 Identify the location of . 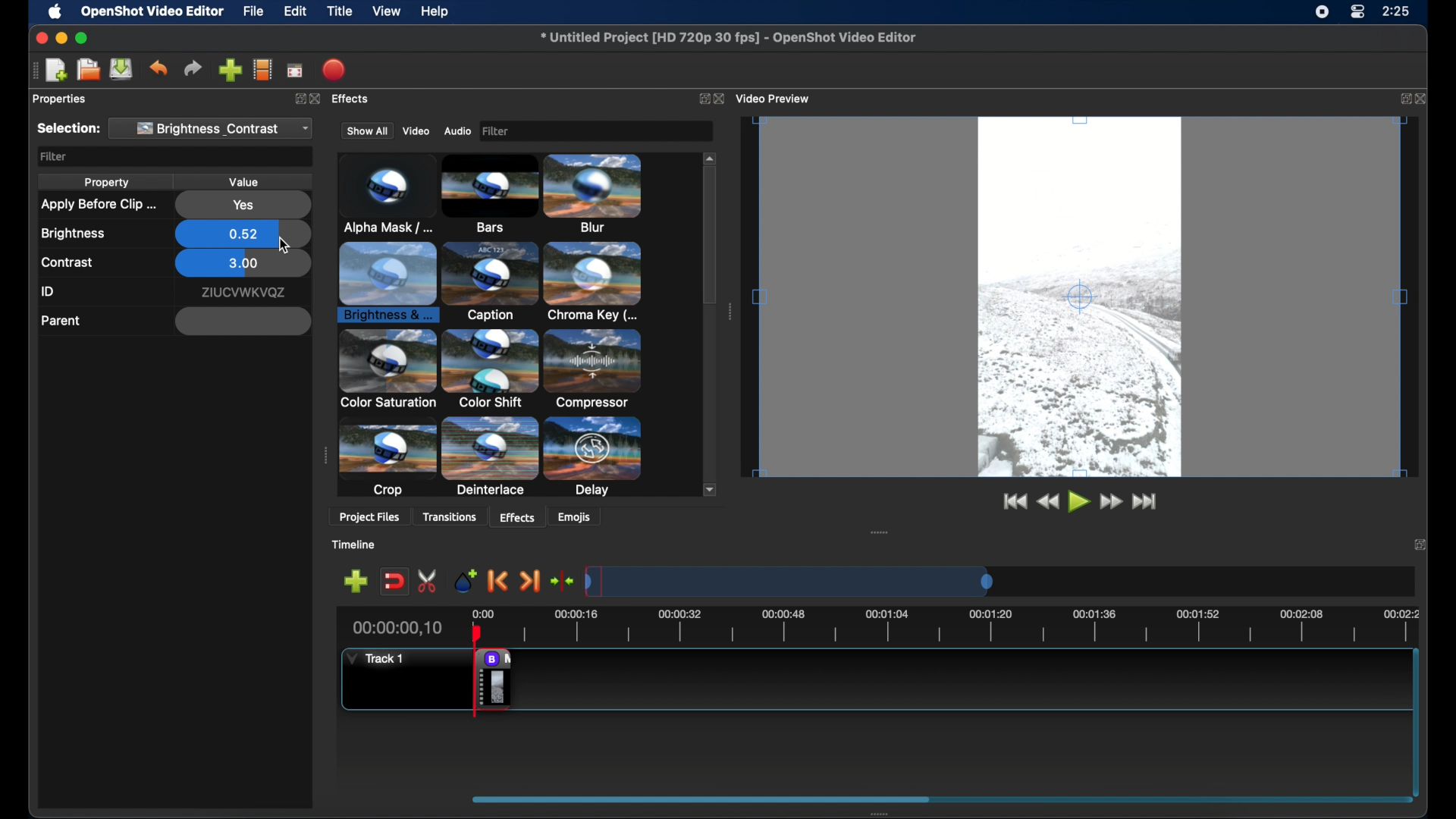
(318, 97).